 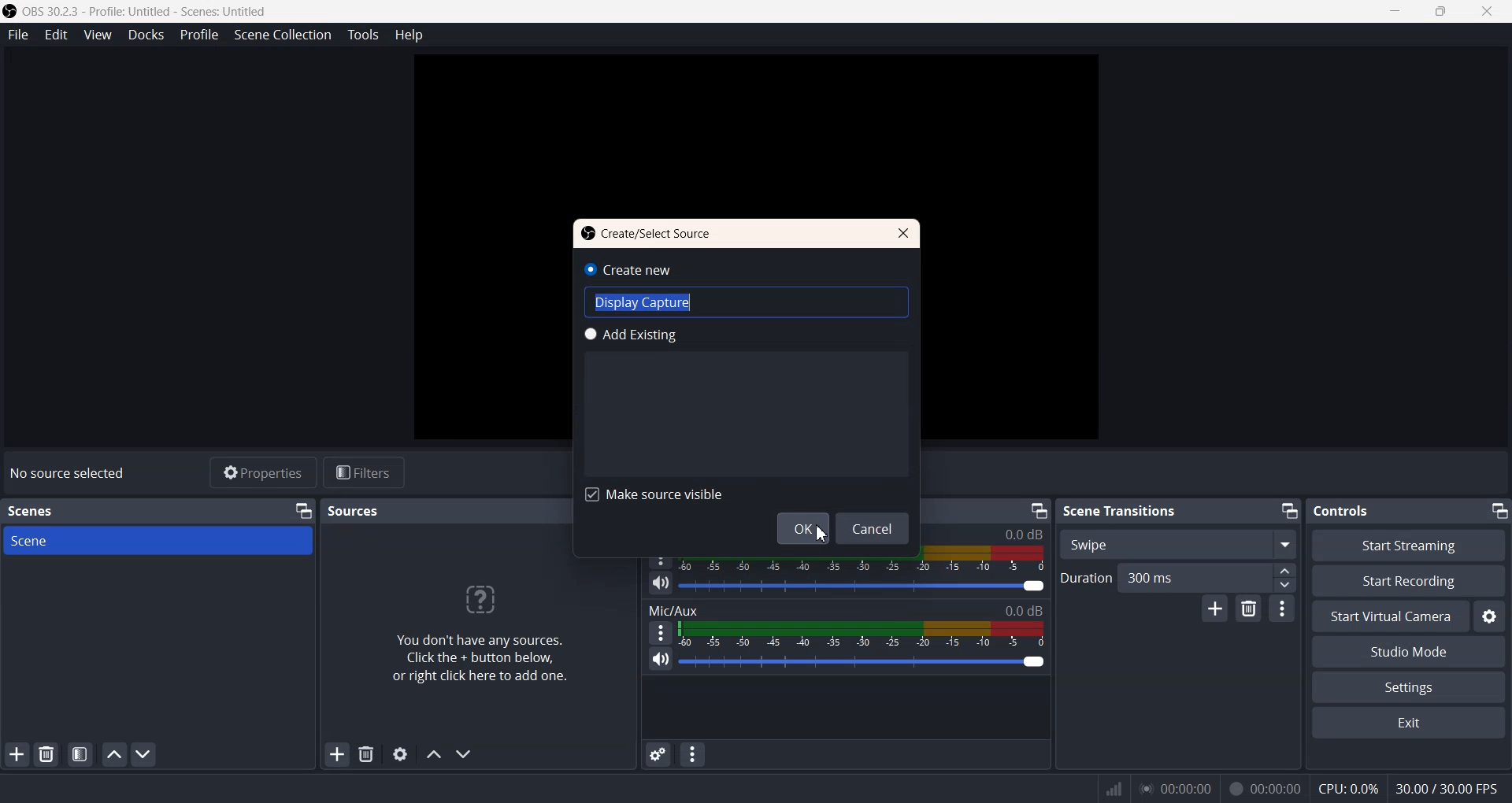 What do you see at coordinates (362, 35) in the screenshot?
I see `Tools` at bounding box center [362, 35].